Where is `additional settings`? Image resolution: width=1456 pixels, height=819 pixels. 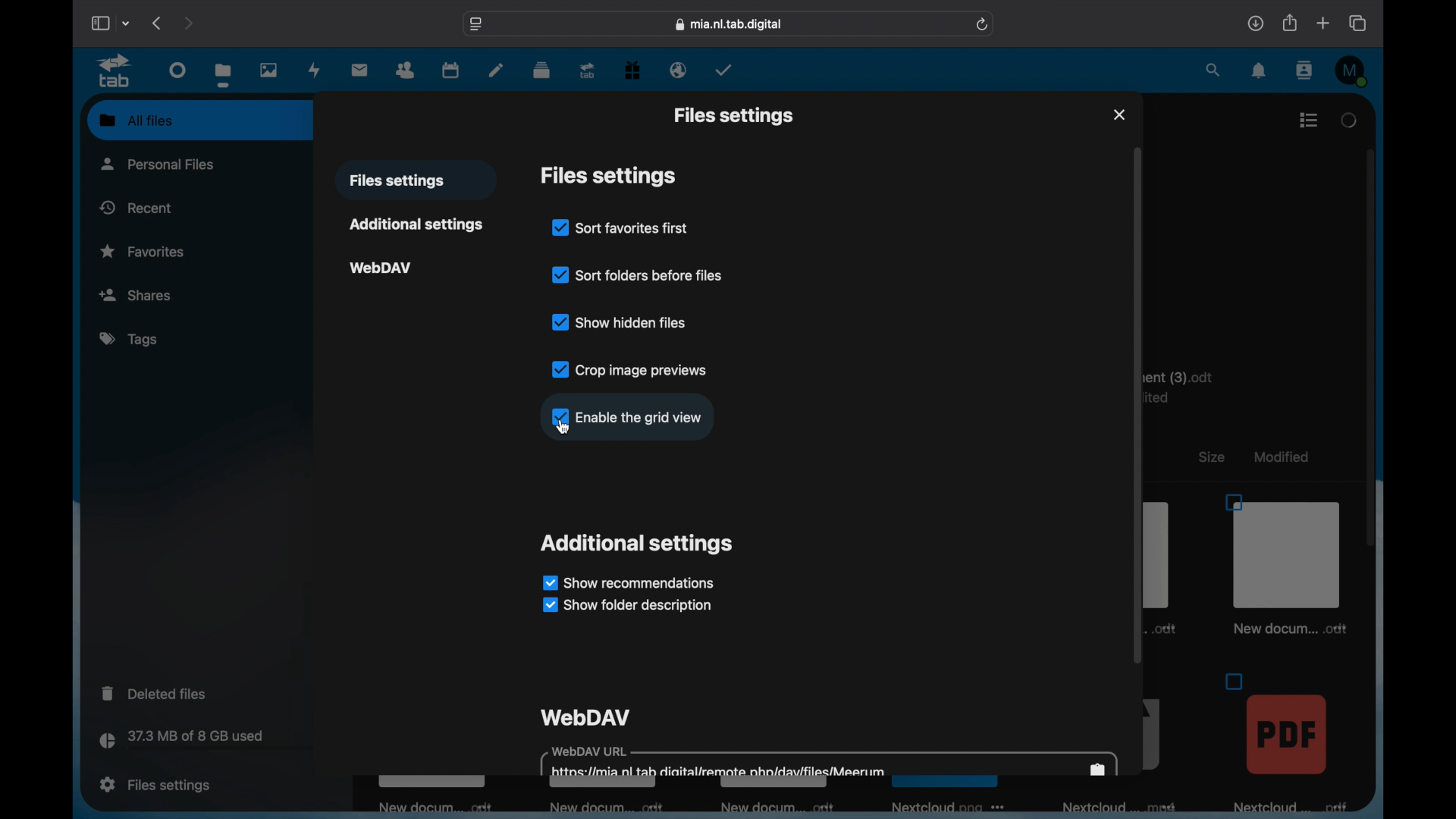 additional settings is located at coordinates (639, 543).